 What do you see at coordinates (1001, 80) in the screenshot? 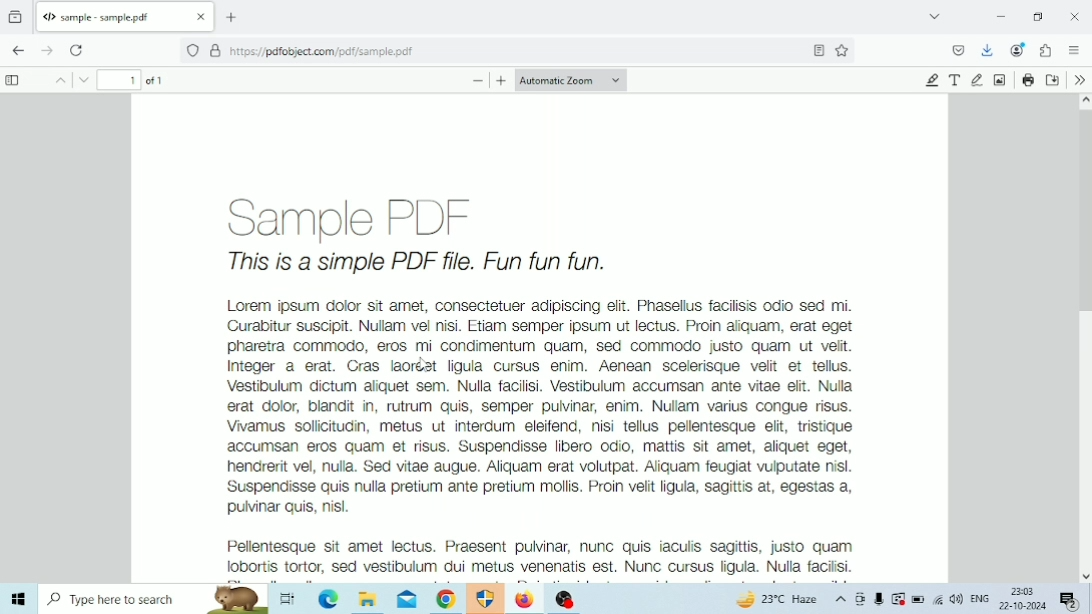
I see `Add or Edit Images` at bounding box center [1001, 80].